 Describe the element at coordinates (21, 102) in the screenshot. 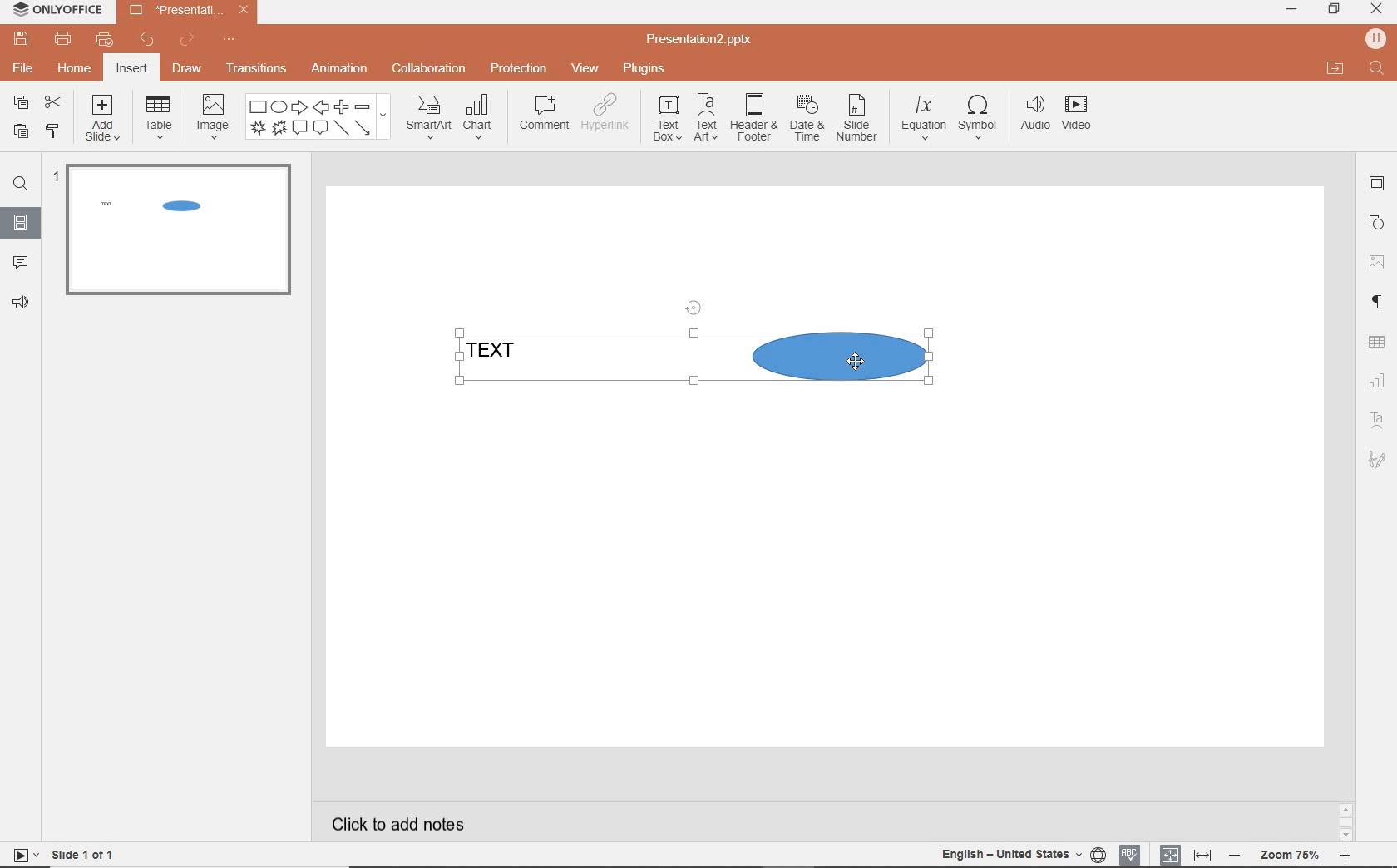

I see `copy` at that location.